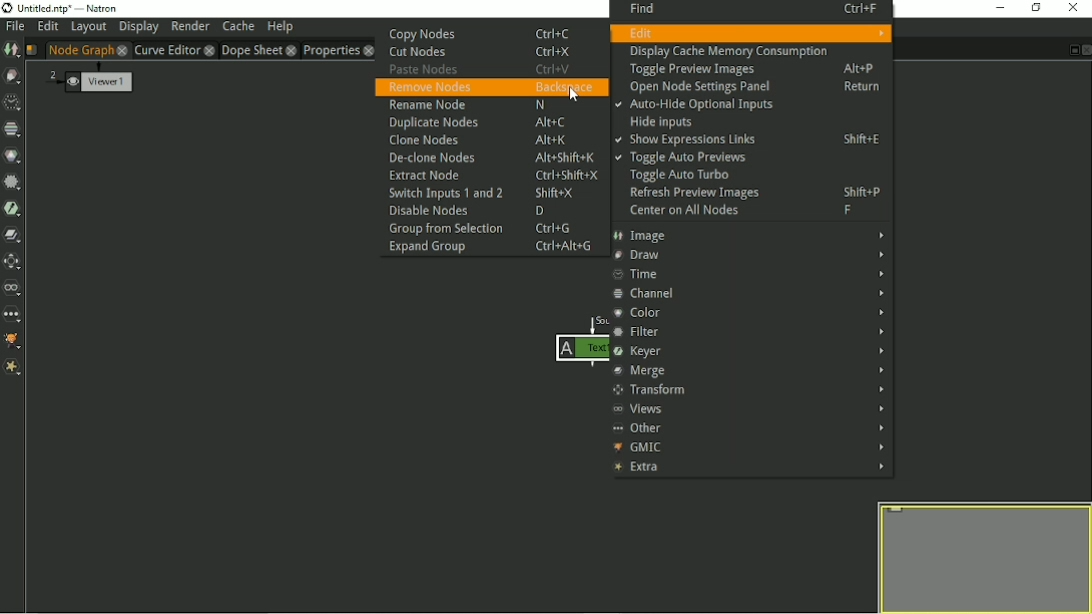  Describe the element at coordinates (190, 27) in the screenshot. I see `Render` at that location.